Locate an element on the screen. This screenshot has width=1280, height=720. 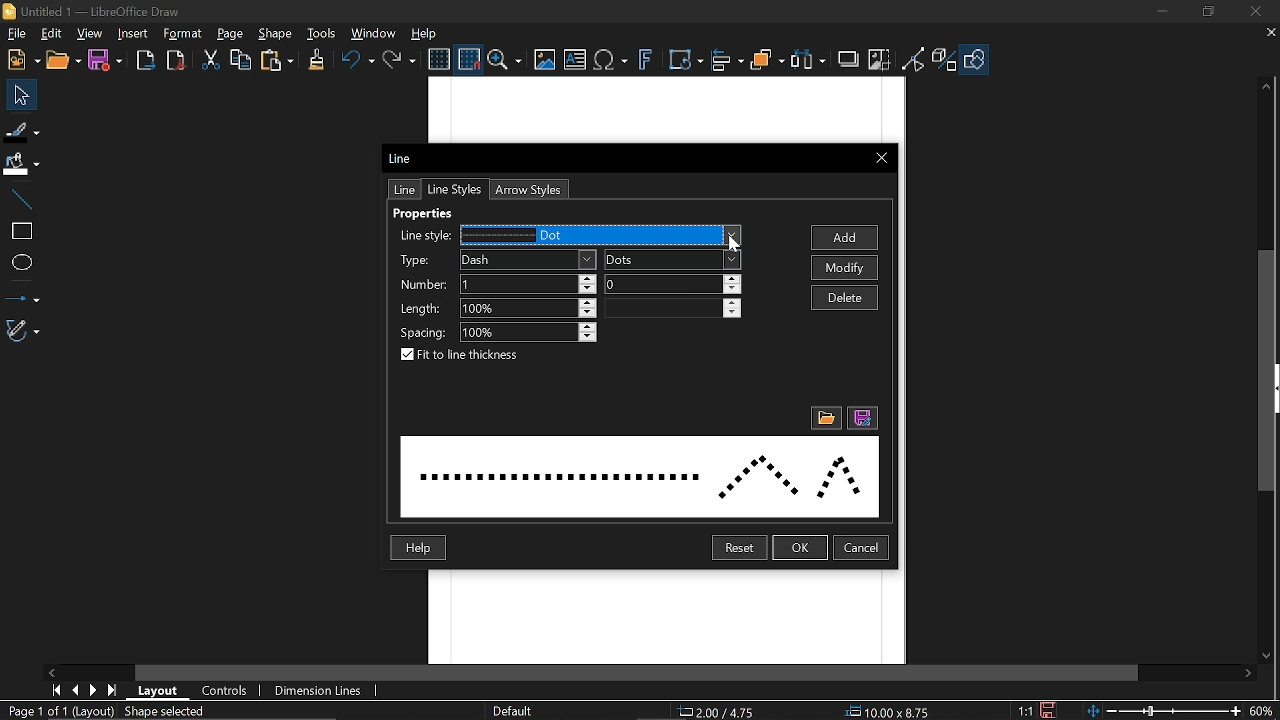
Line styles is located at coordinates (454, 189).